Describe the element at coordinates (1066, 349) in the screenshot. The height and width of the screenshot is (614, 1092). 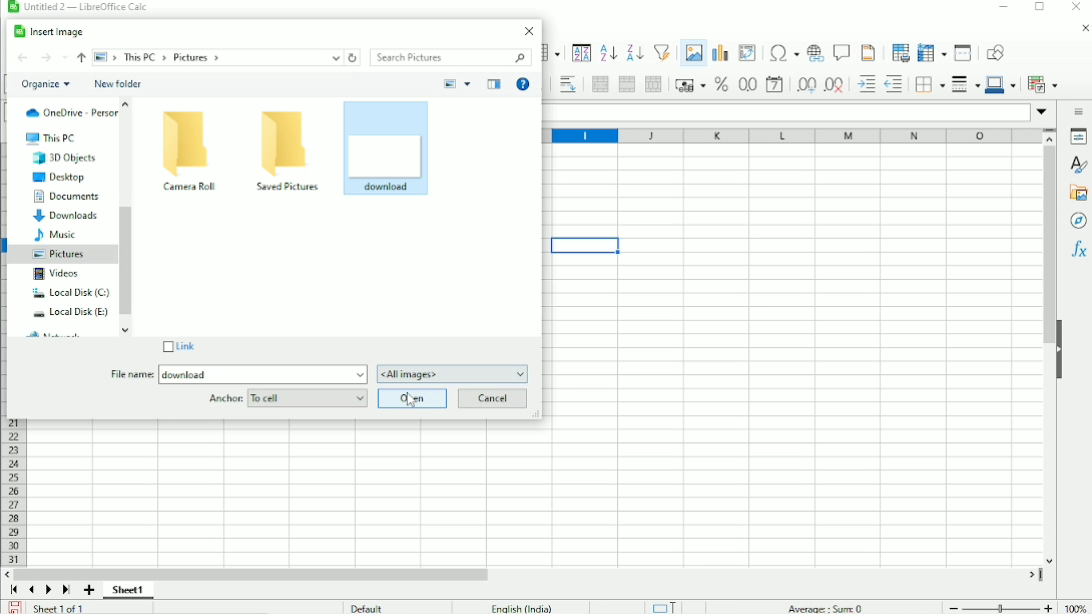
I see `Hide` at that location.